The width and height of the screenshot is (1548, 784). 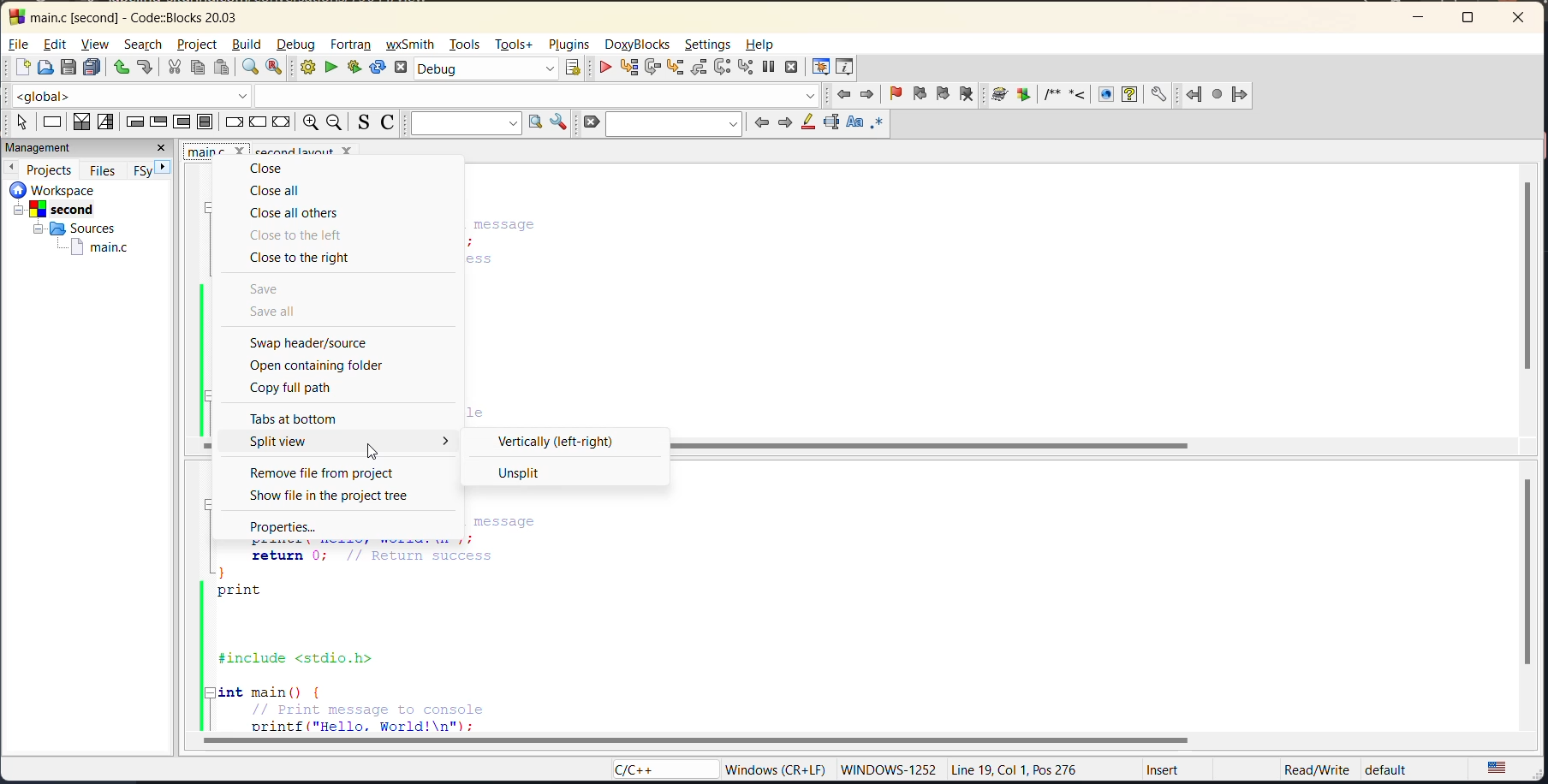 What do you see at coordinates (378, 68) in the screenshot?
I see `rebuild` at bounding box center [378, 68].